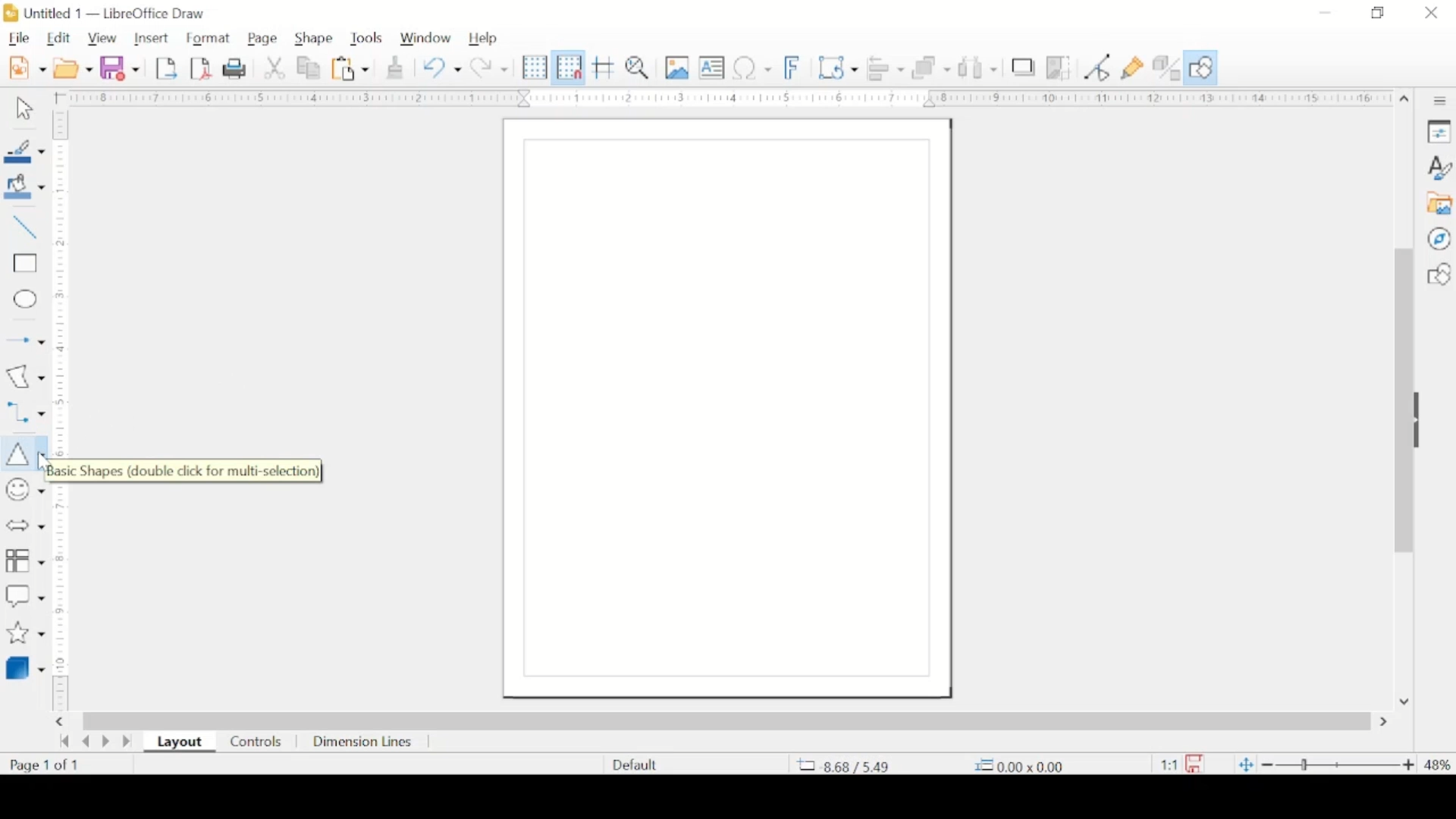  Describe the element at coordinates (1442, 102) in the screenshot. I see `sidebar settings` at that location.